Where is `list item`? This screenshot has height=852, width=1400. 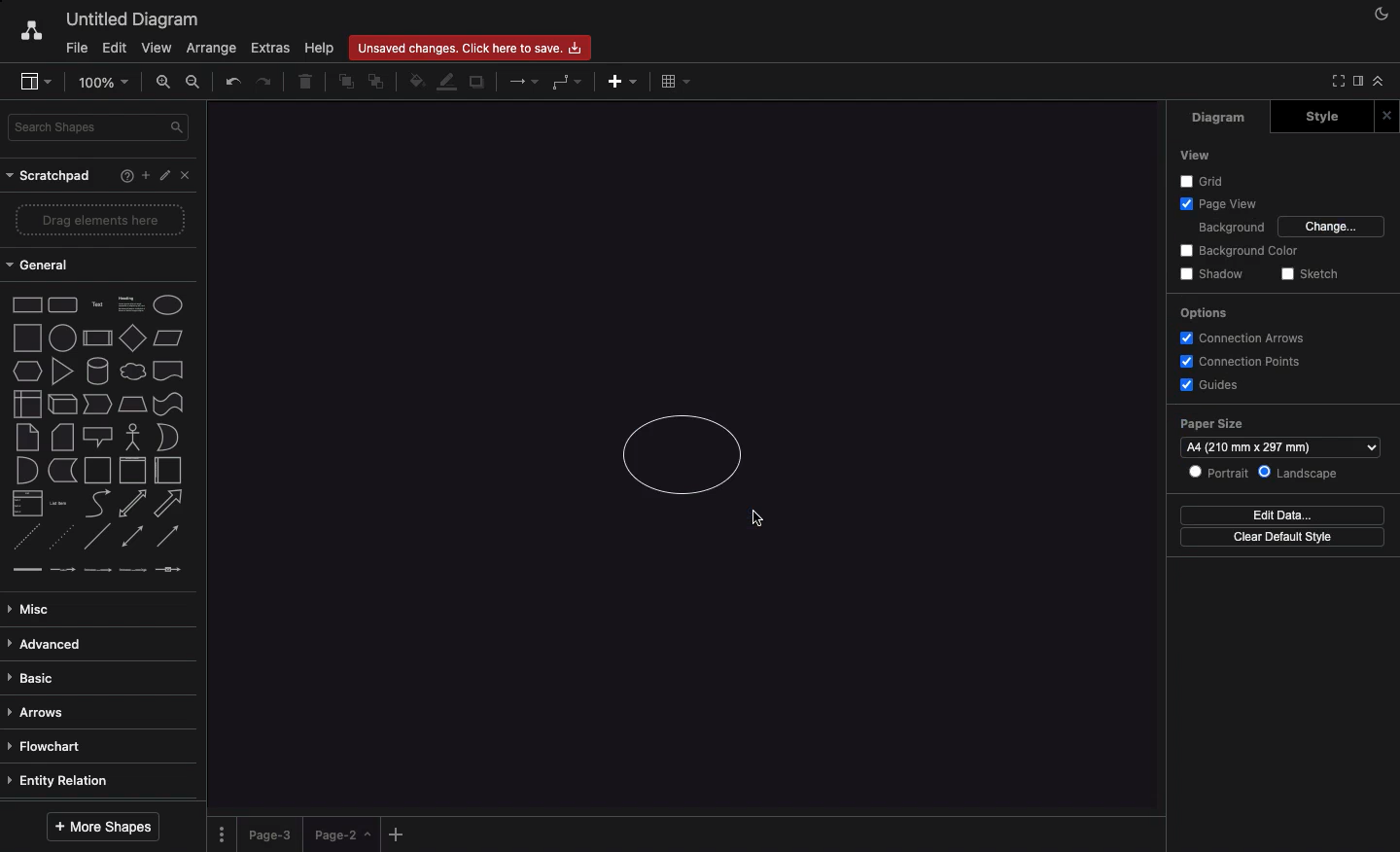 list item is located at coordinates (59, 504).